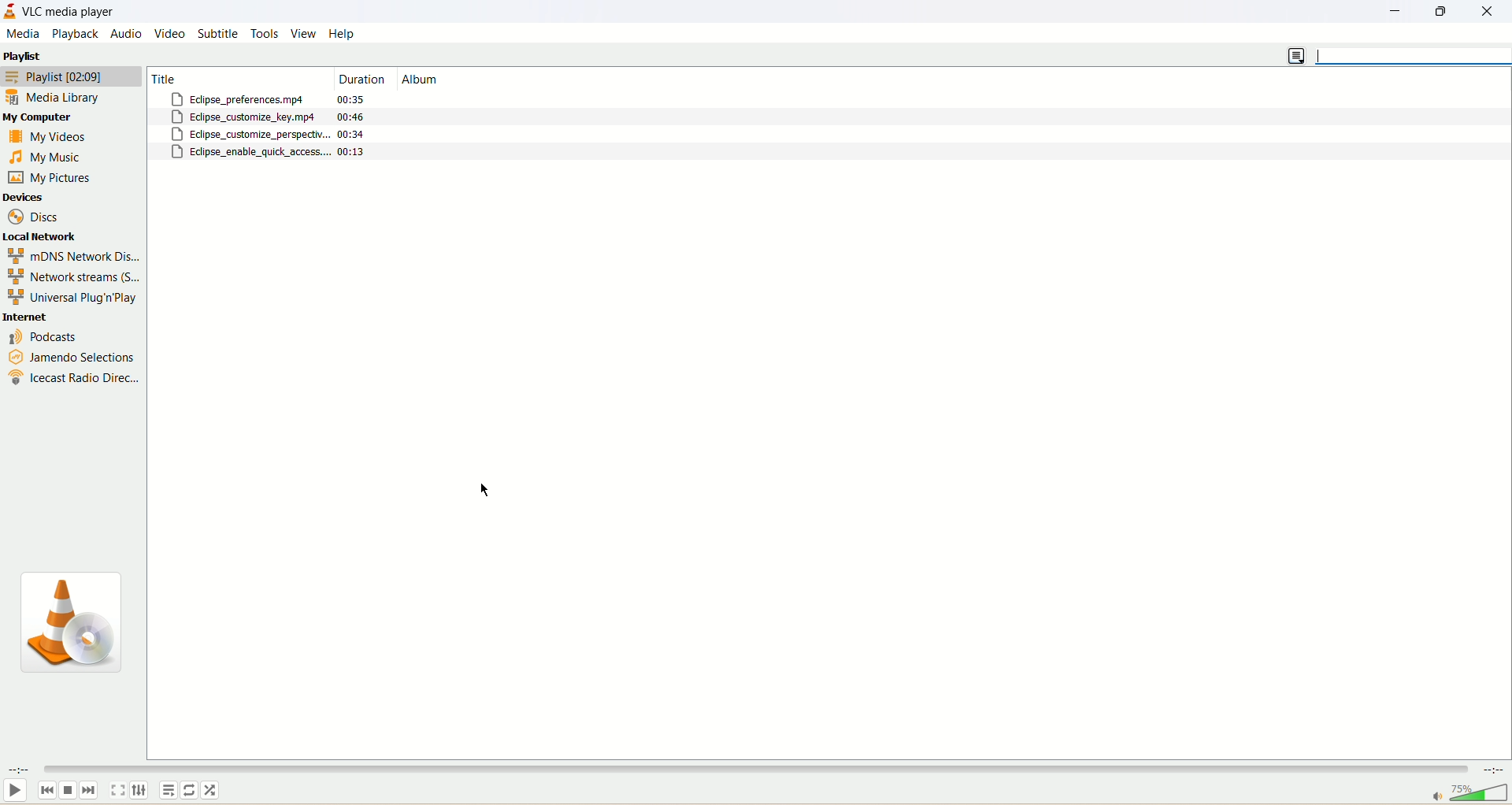  Describe the element at coordinates (119, 792) in the screenshot. I see `toggle fullscreen` at that location.